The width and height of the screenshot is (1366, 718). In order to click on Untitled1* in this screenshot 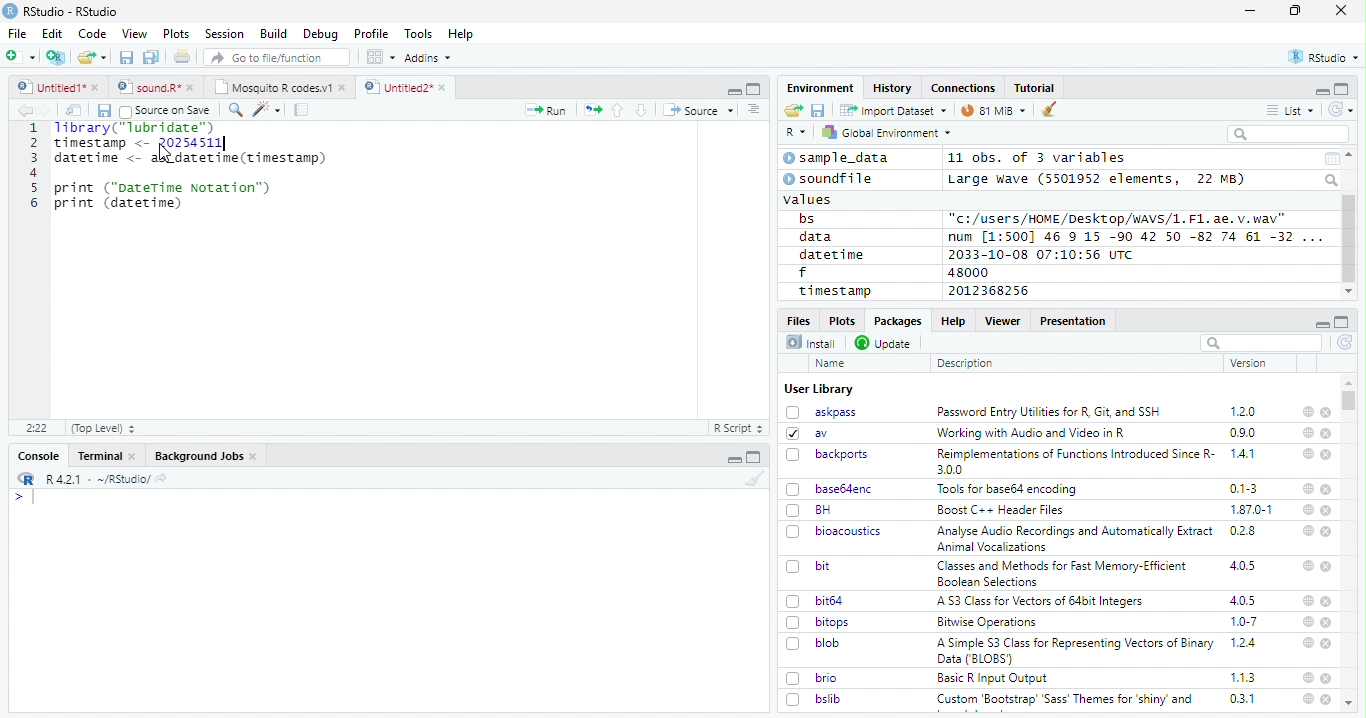, I will do `click(57, 88)`.